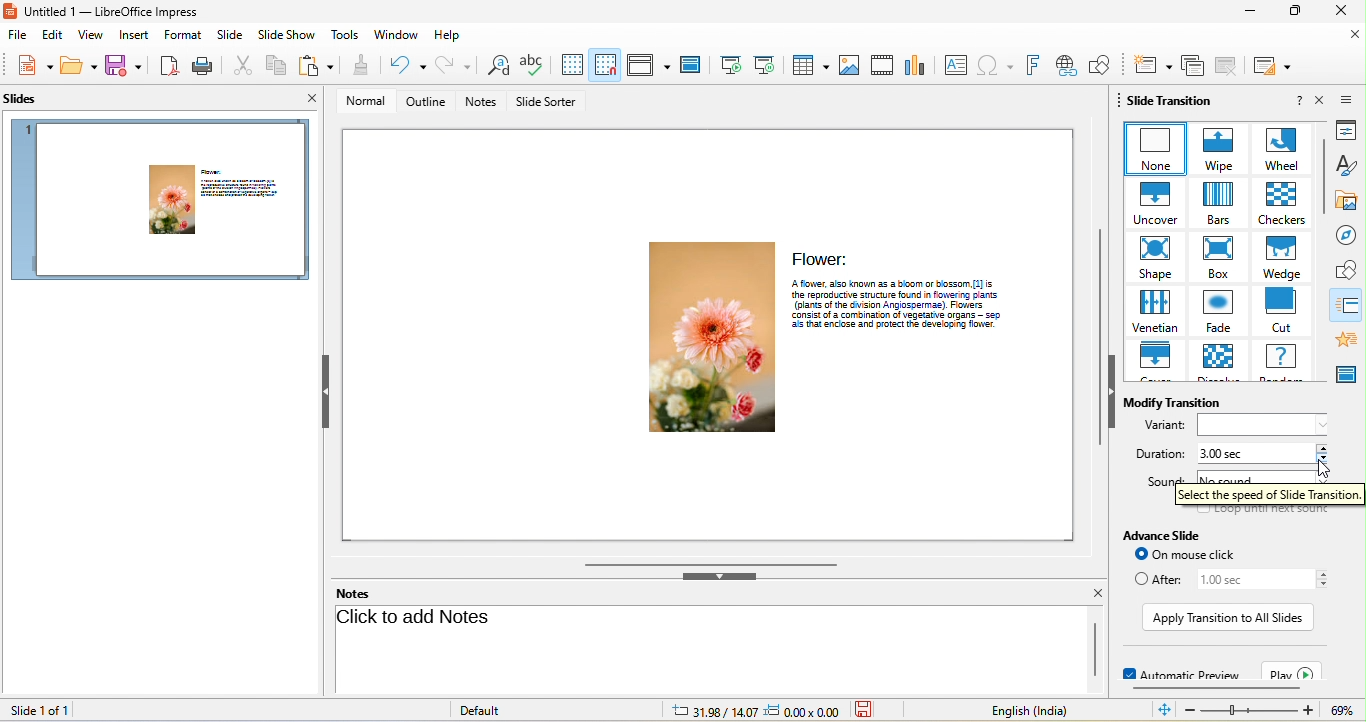 This screenshot has height=722, width=1366. I want to click on slide, so click(230, 36).